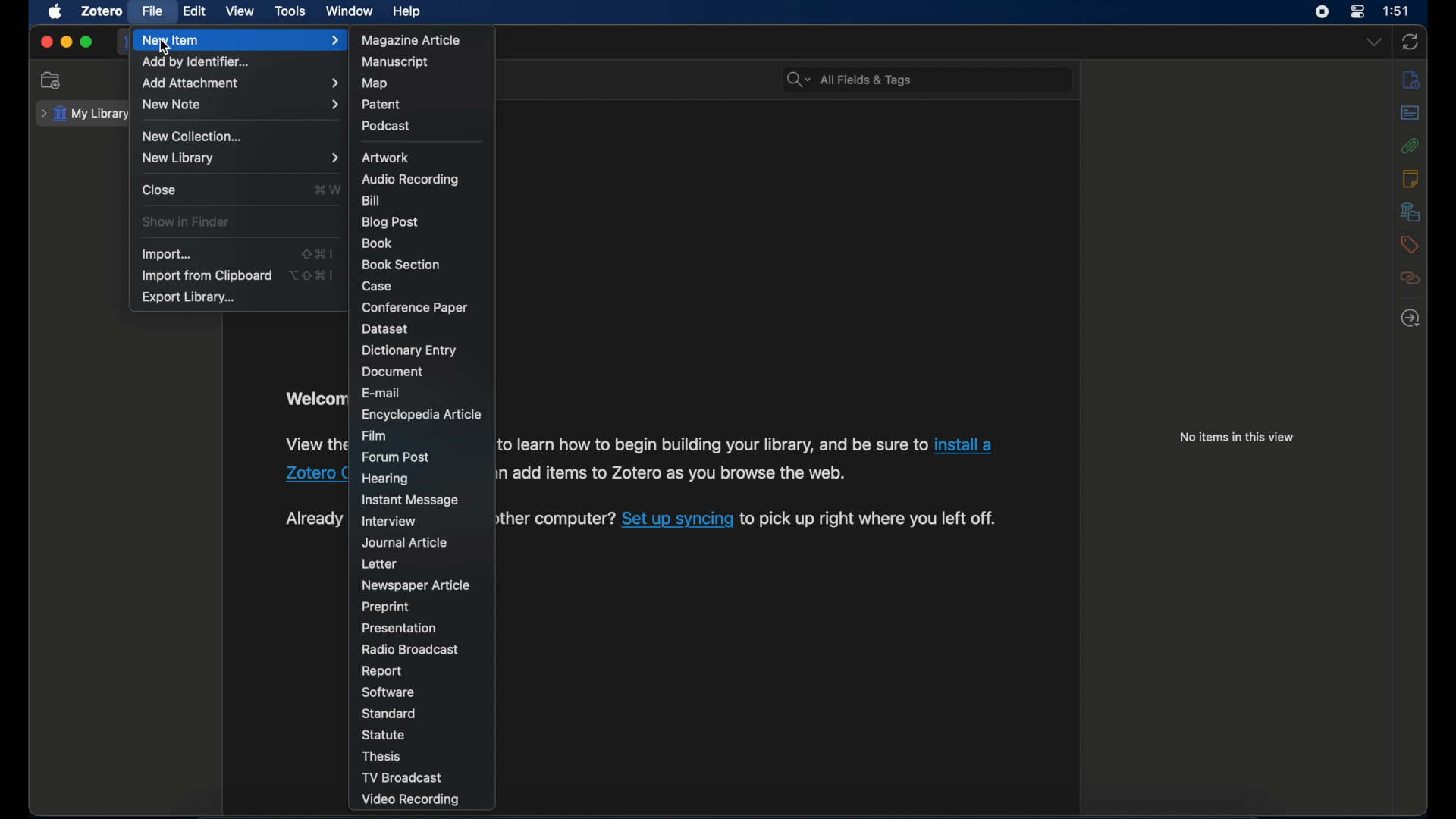  I want to click on hearing, so click(386, 478).